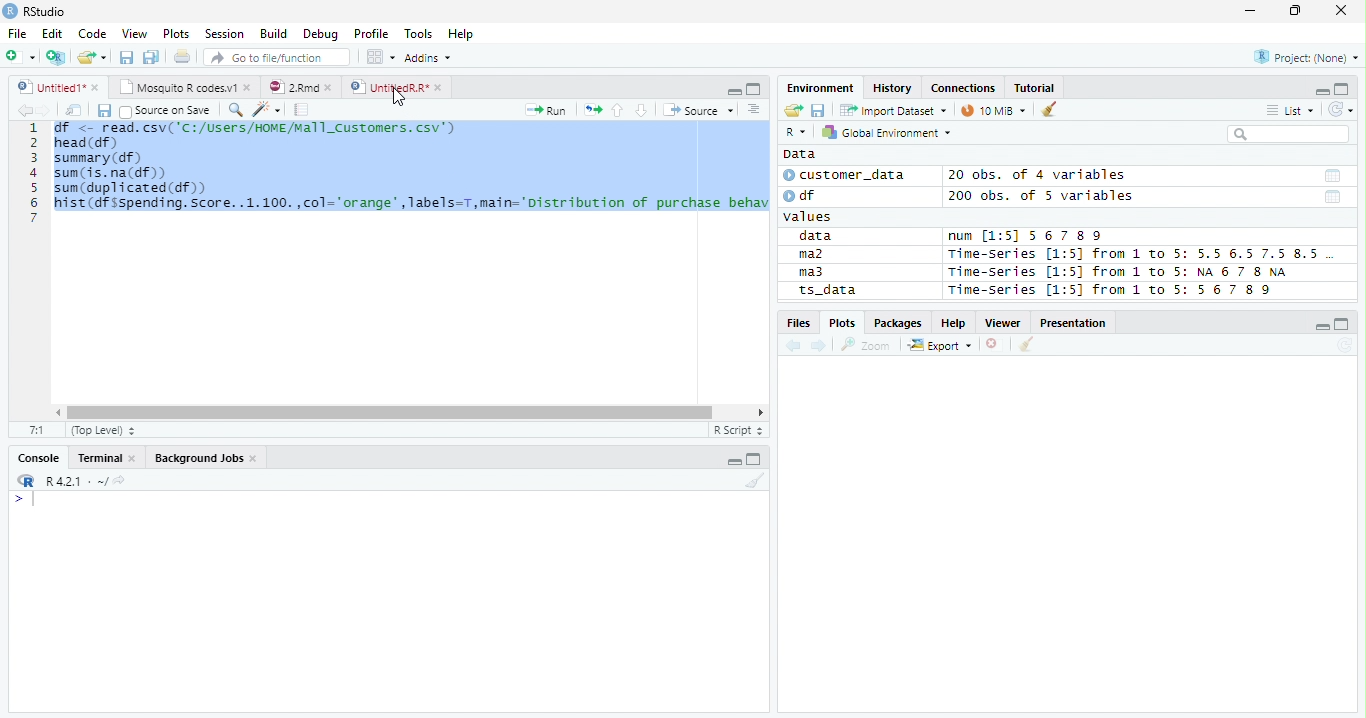 This screenshot has width=1366, height=718. What do you see at coordinates (45, 111) in the screenshot?
I see `Next` at bounding box center [45, 111].